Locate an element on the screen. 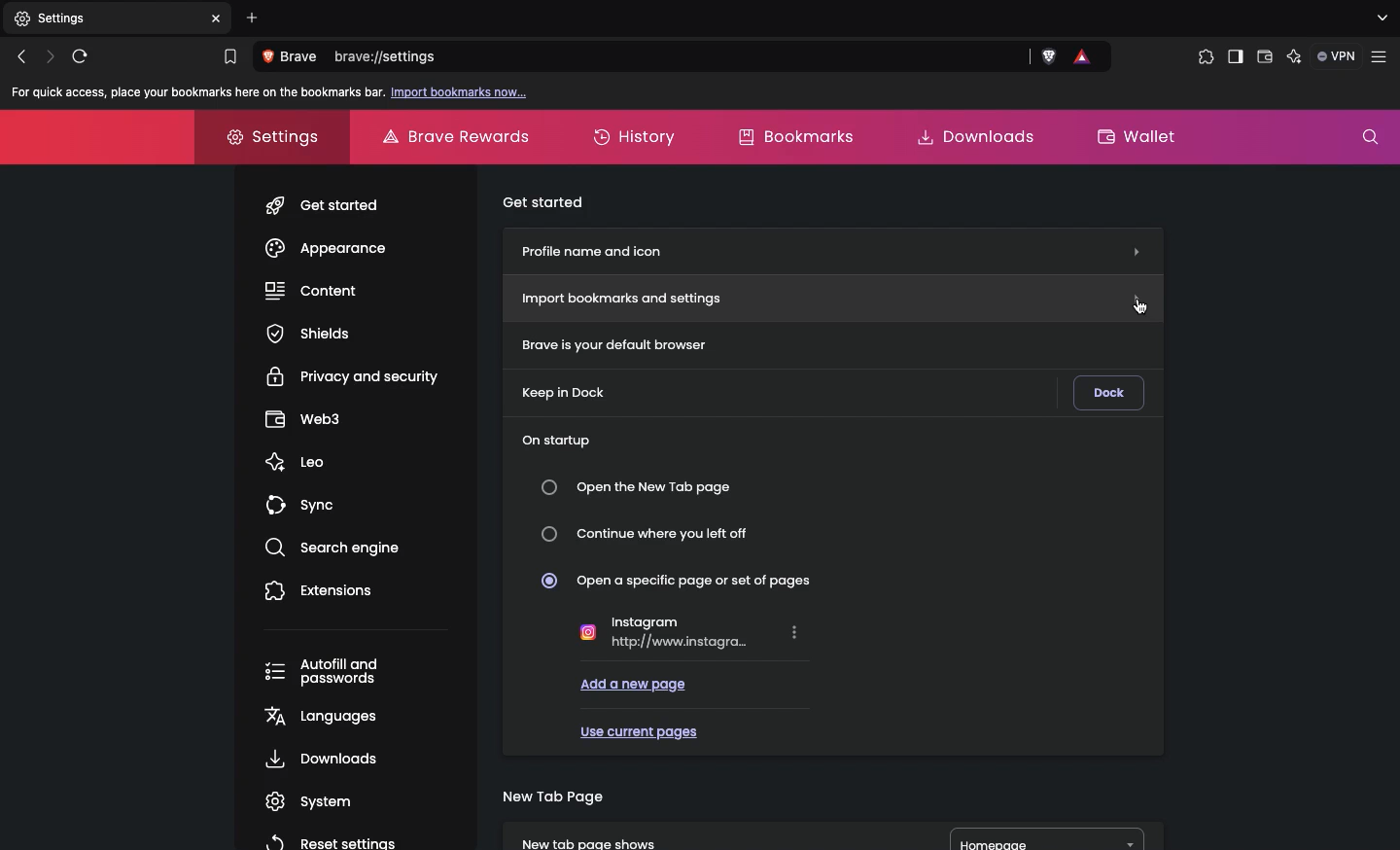 This screenshot has width=1400, height=850. Get started is located at coordinates (326, 201).